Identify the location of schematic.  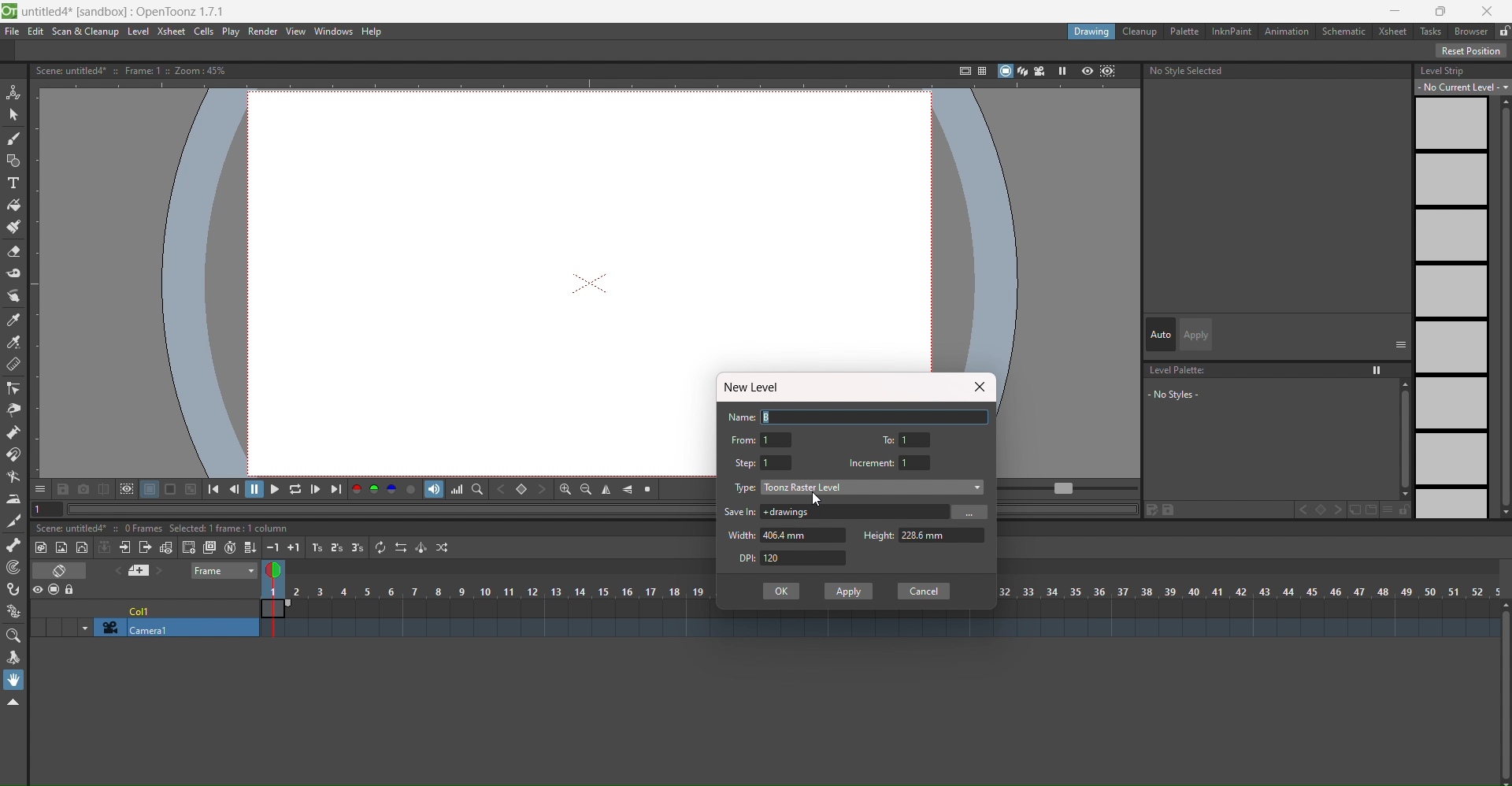
(1343, 31).